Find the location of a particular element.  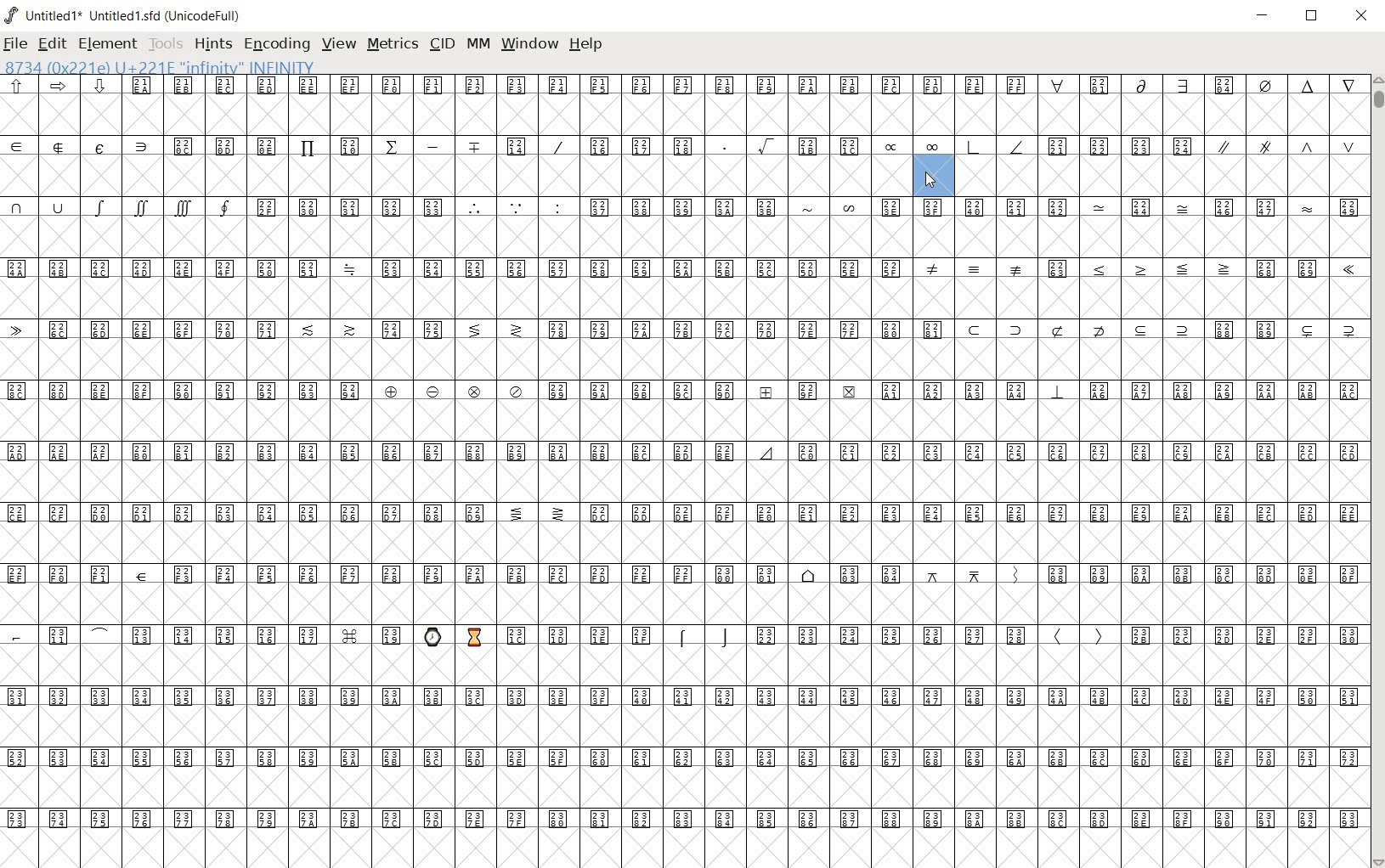

Unicode code points is located at coordinates (683, 329).